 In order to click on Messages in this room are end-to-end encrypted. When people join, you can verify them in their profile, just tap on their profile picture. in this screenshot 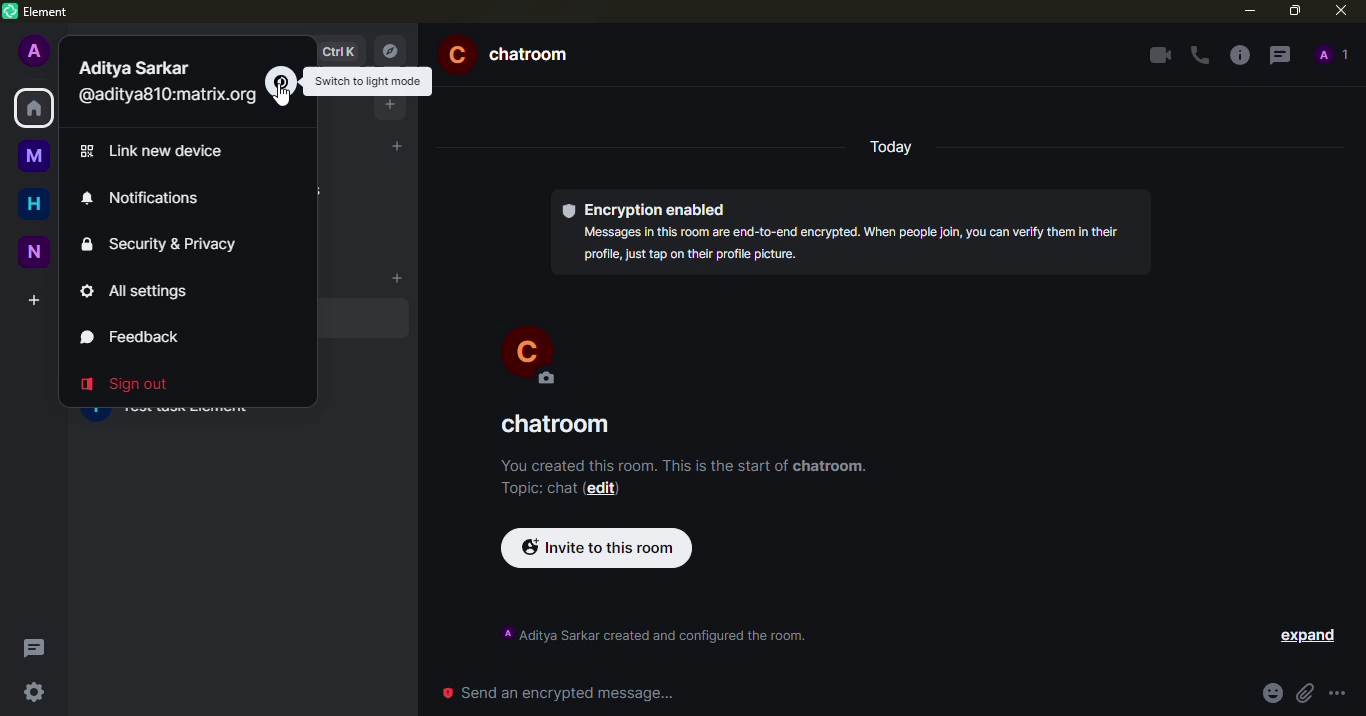, I will do `click(855, 243)`.